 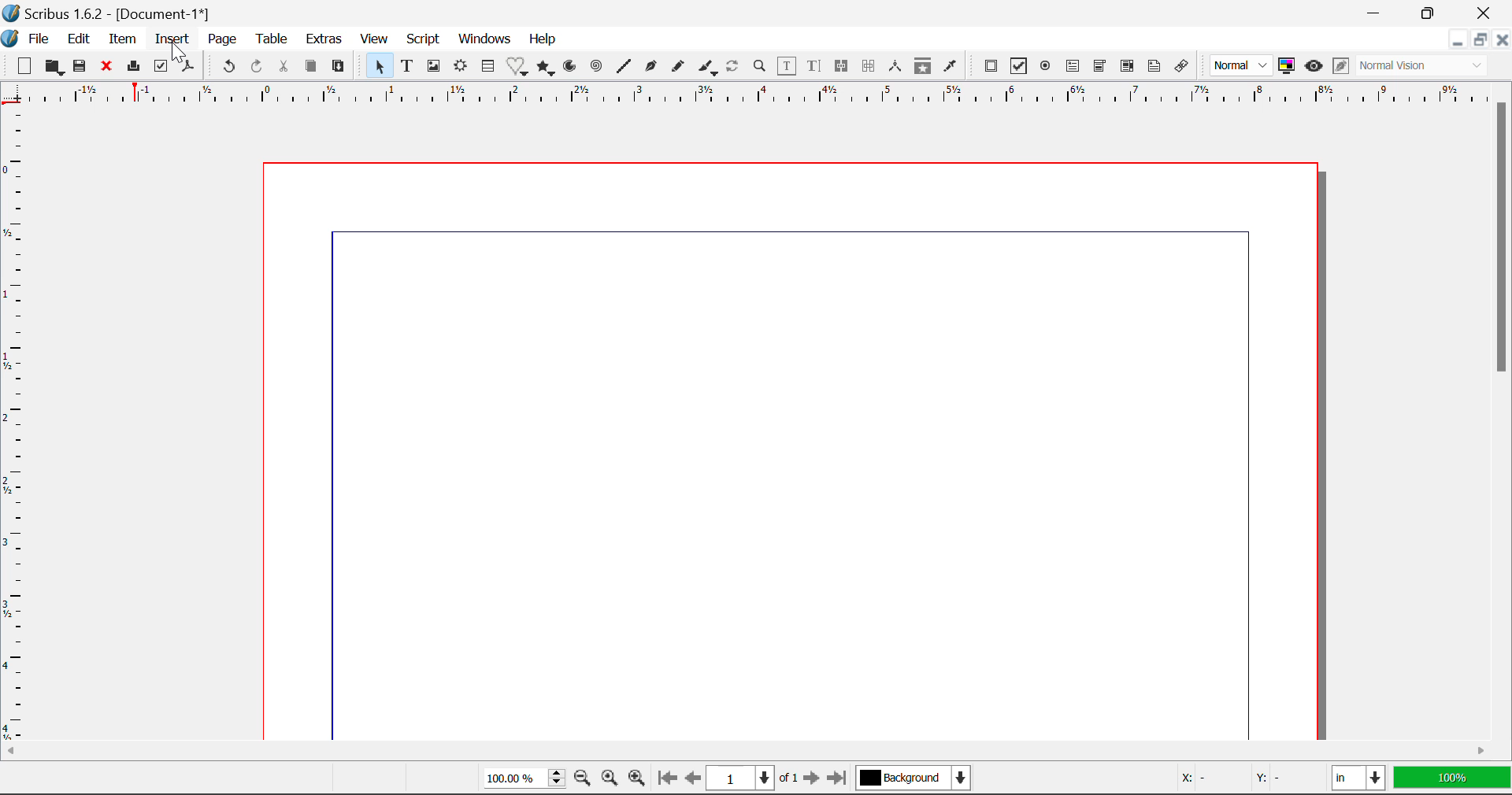 What do you see at coordinates (310, 67) in the screenshot?
I see `Copy` at bounding box center [310, 67].